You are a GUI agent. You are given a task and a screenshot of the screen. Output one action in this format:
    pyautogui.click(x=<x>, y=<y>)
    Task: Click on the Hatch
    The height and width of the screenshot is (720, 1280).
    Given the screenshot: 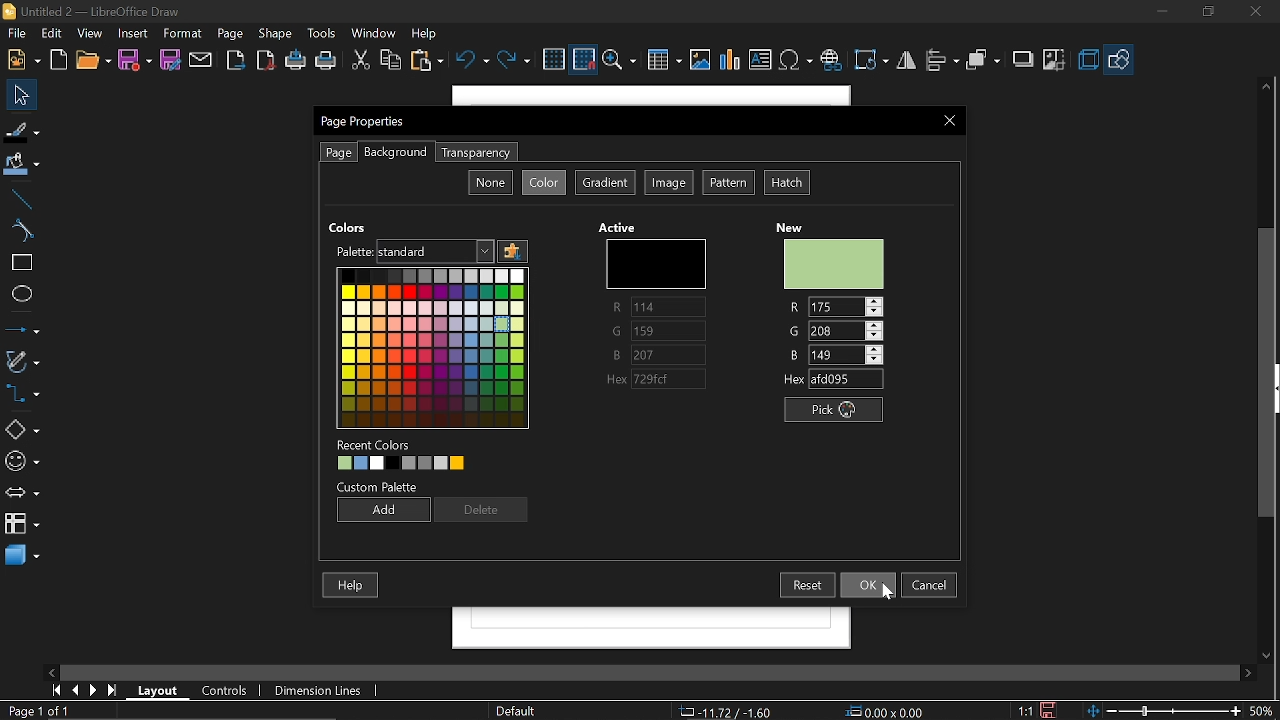 What is the action you would take?
    pyautogui.click(x=786, y=182)
    